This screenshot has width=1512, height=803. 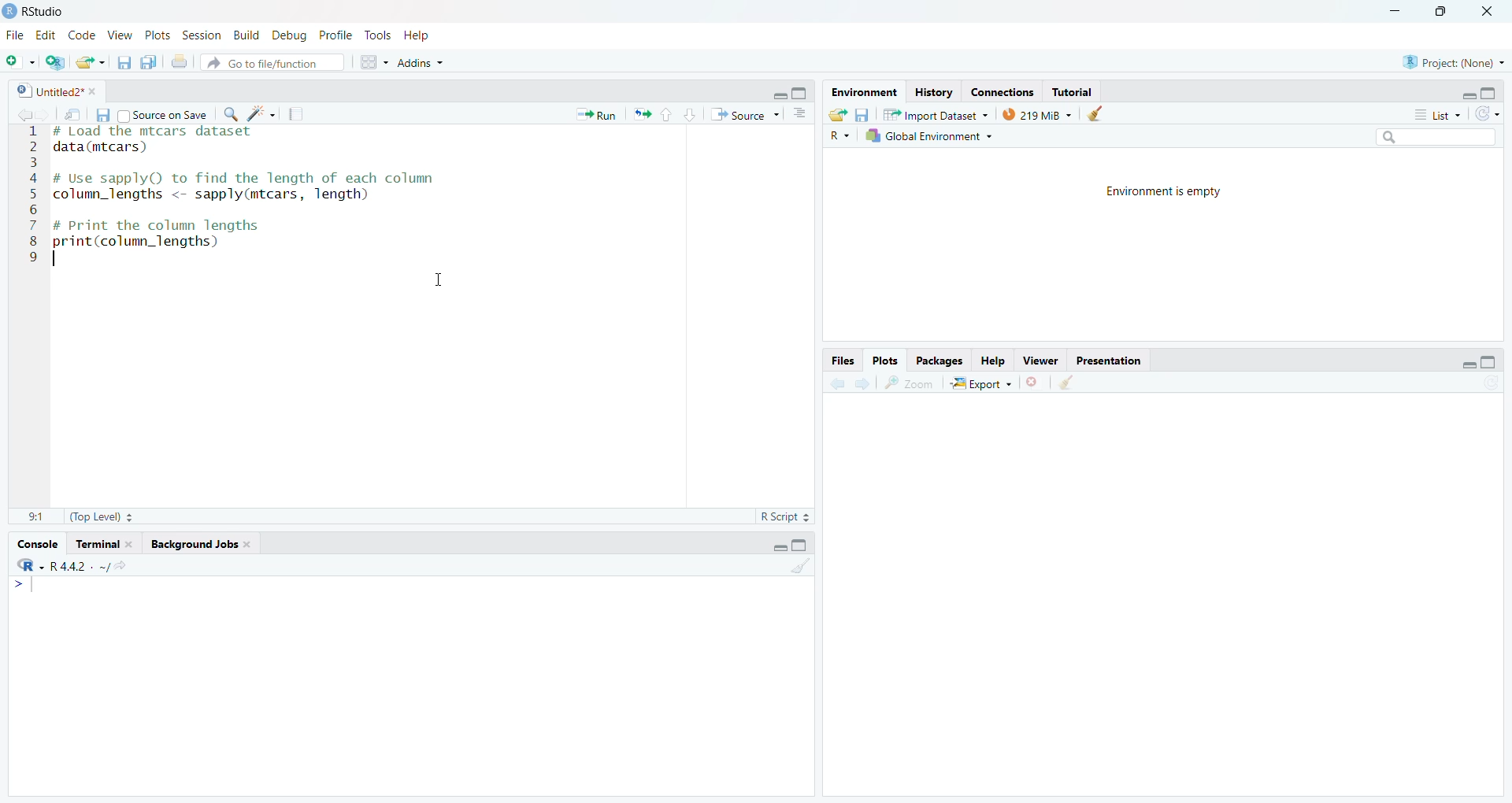 I want to click on Environment, so click(x=865, y=92).